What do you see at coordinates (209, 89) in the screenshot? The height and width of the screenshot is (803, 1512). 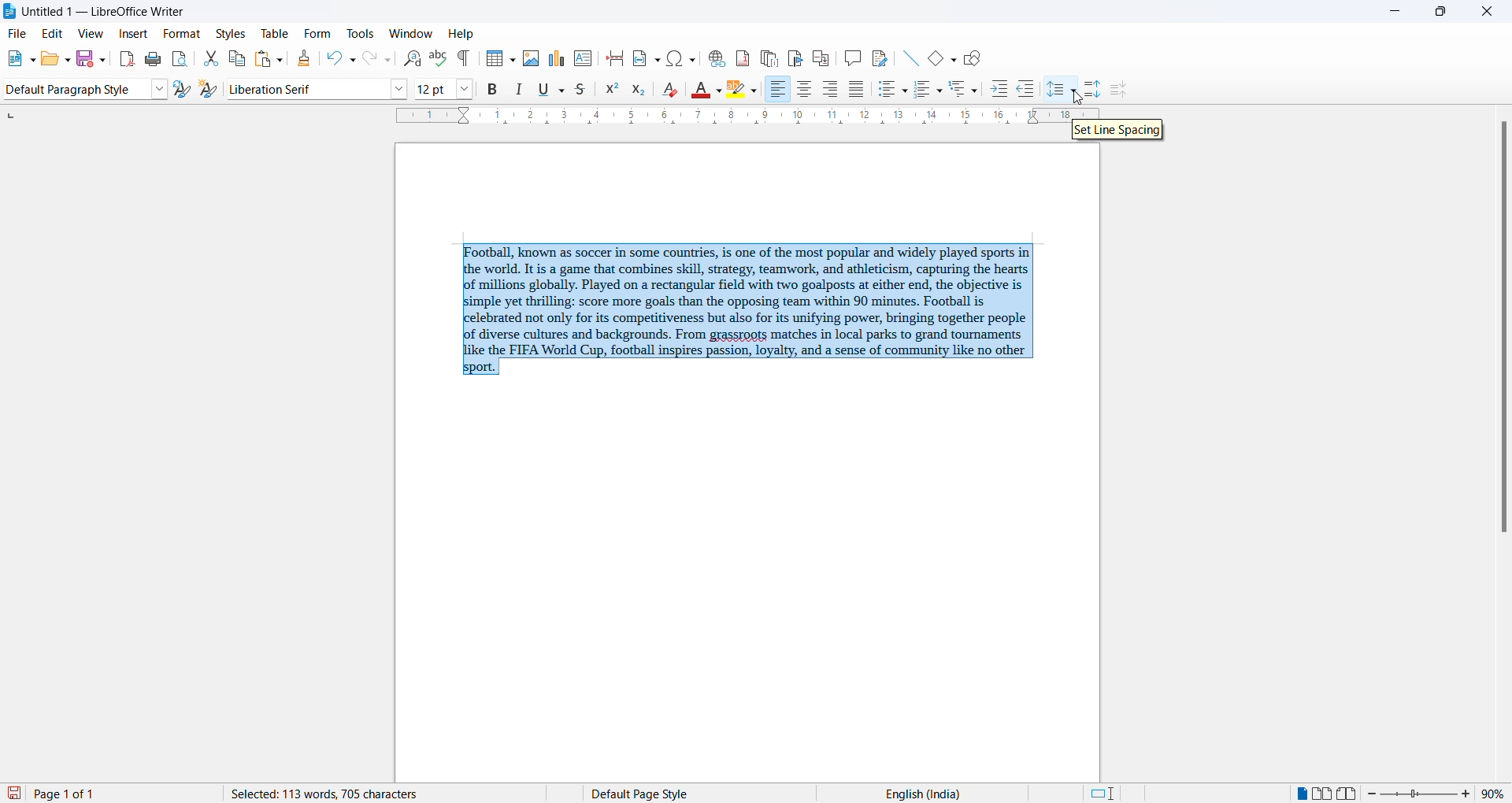 I see `create new style from selections` at bounding box center [209, 89].